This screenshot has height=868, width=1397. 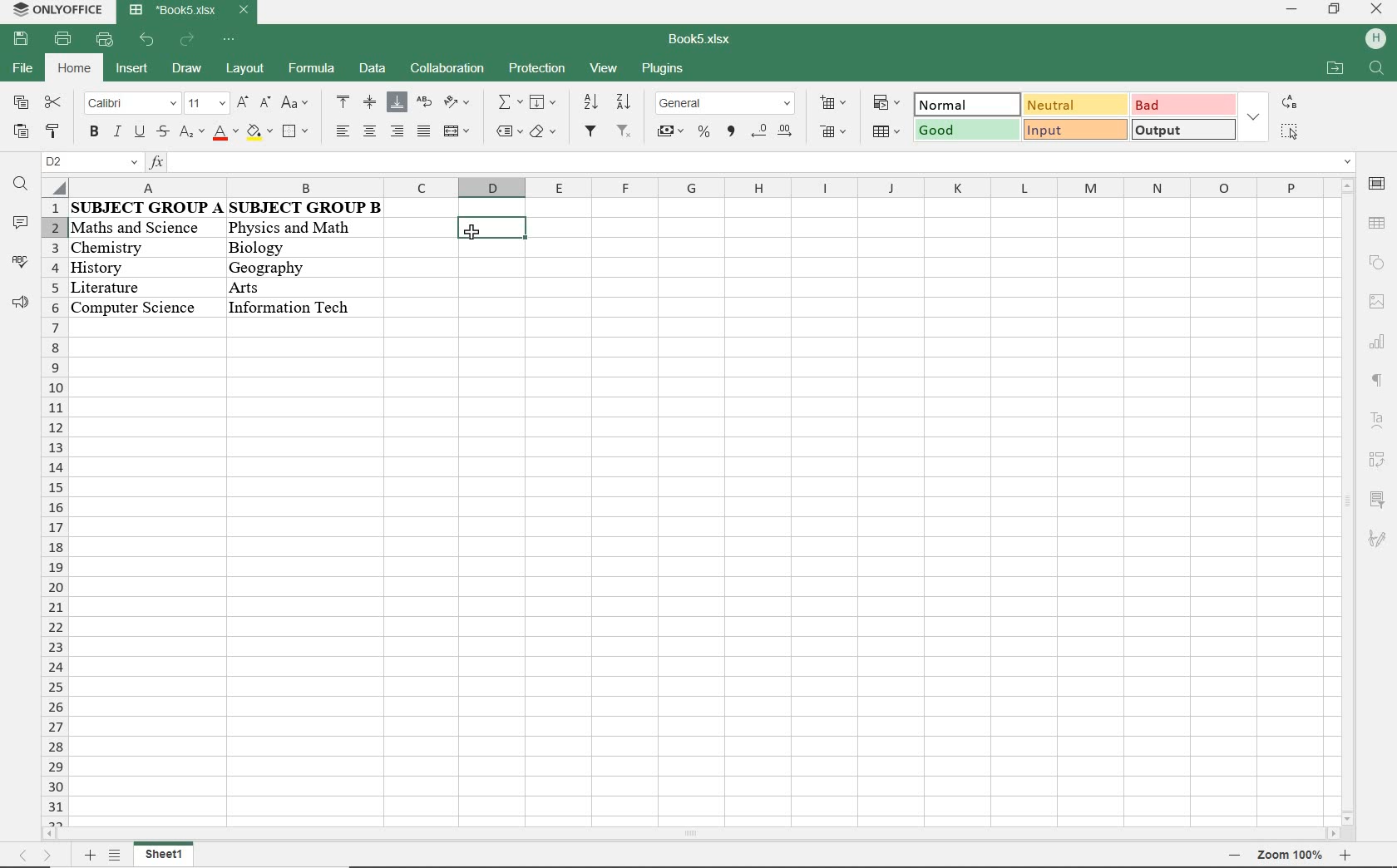 I want to click on find, so click(x=20, y=184).